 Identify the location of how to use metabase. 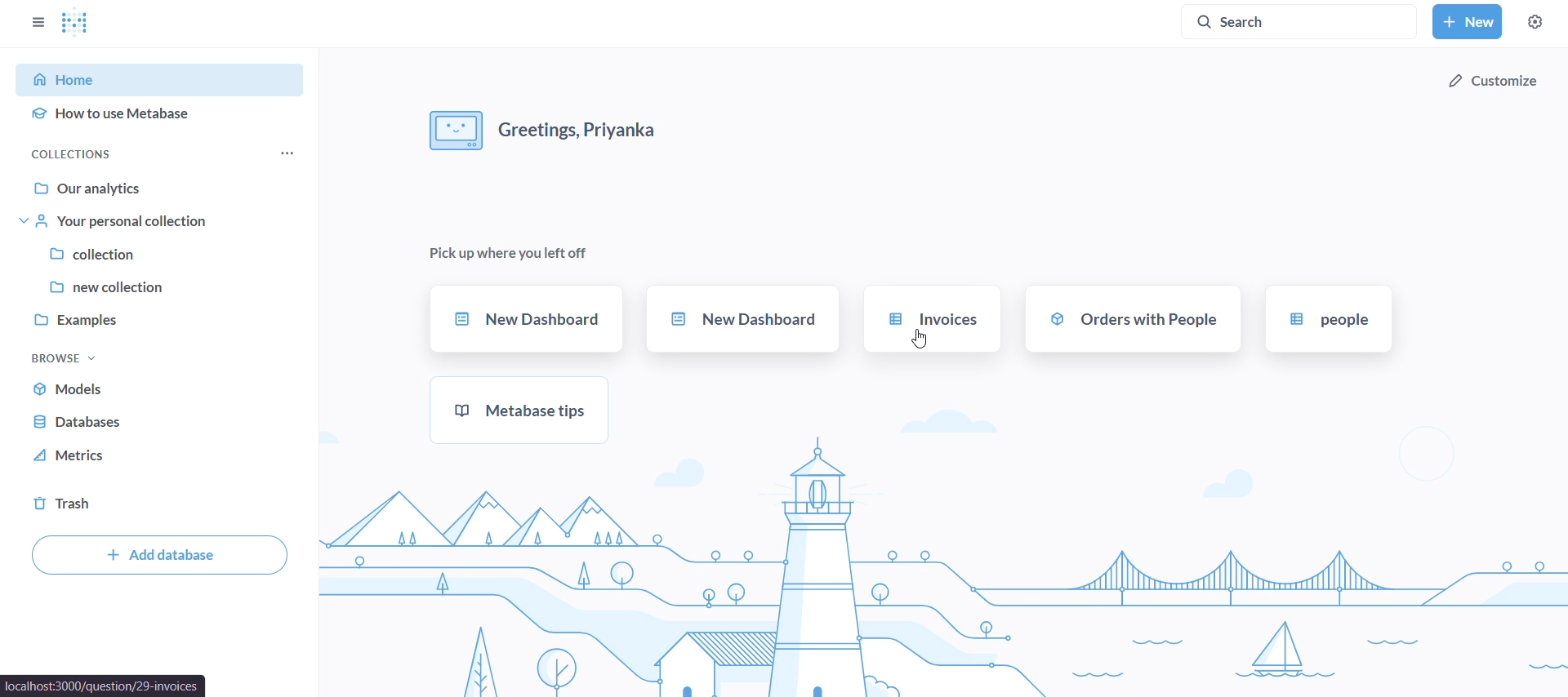
(163, 113).